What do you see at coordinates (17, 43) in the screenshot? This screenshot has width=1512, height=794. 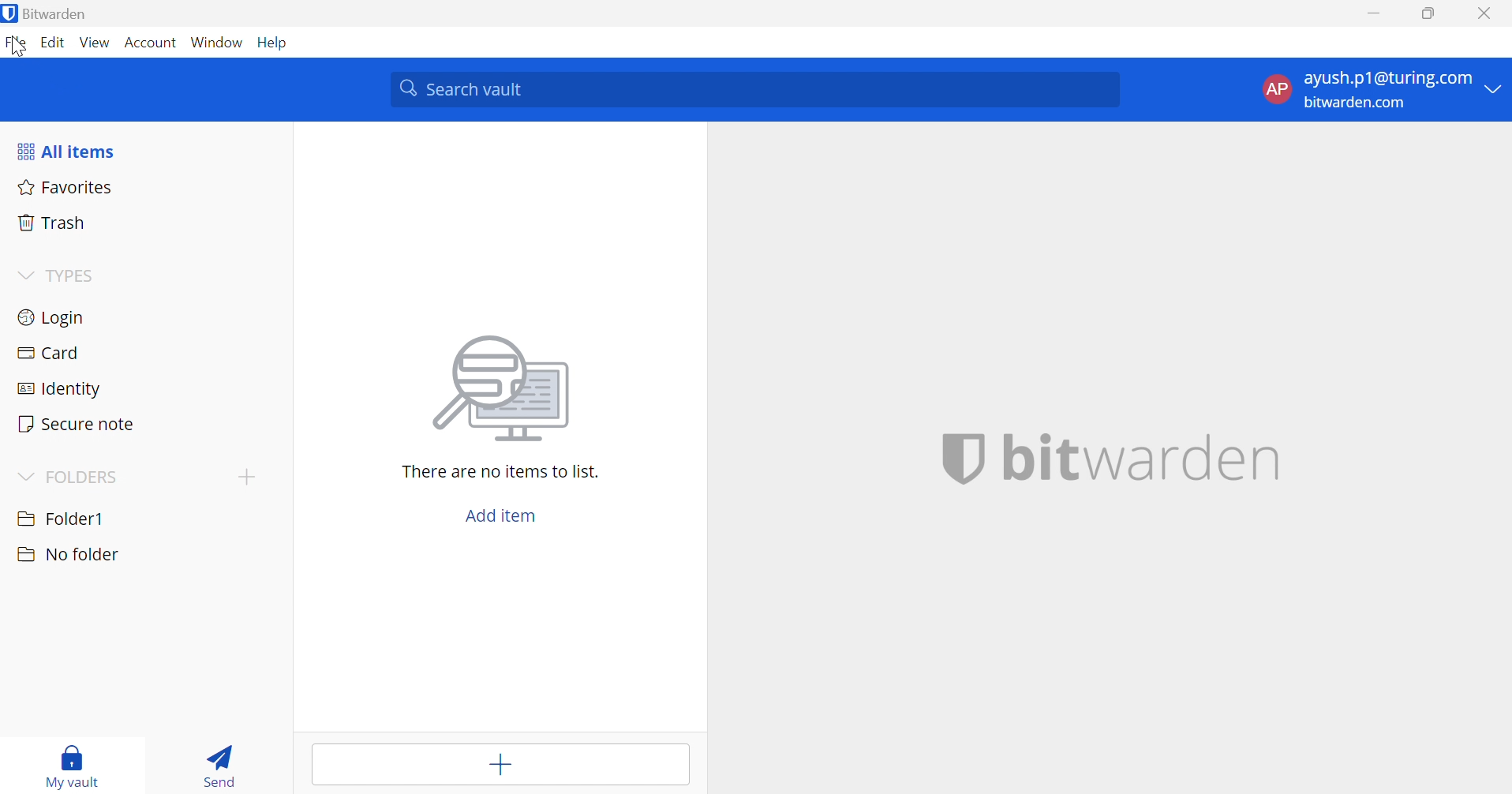 I see `File` at bounding box center [17, 43].